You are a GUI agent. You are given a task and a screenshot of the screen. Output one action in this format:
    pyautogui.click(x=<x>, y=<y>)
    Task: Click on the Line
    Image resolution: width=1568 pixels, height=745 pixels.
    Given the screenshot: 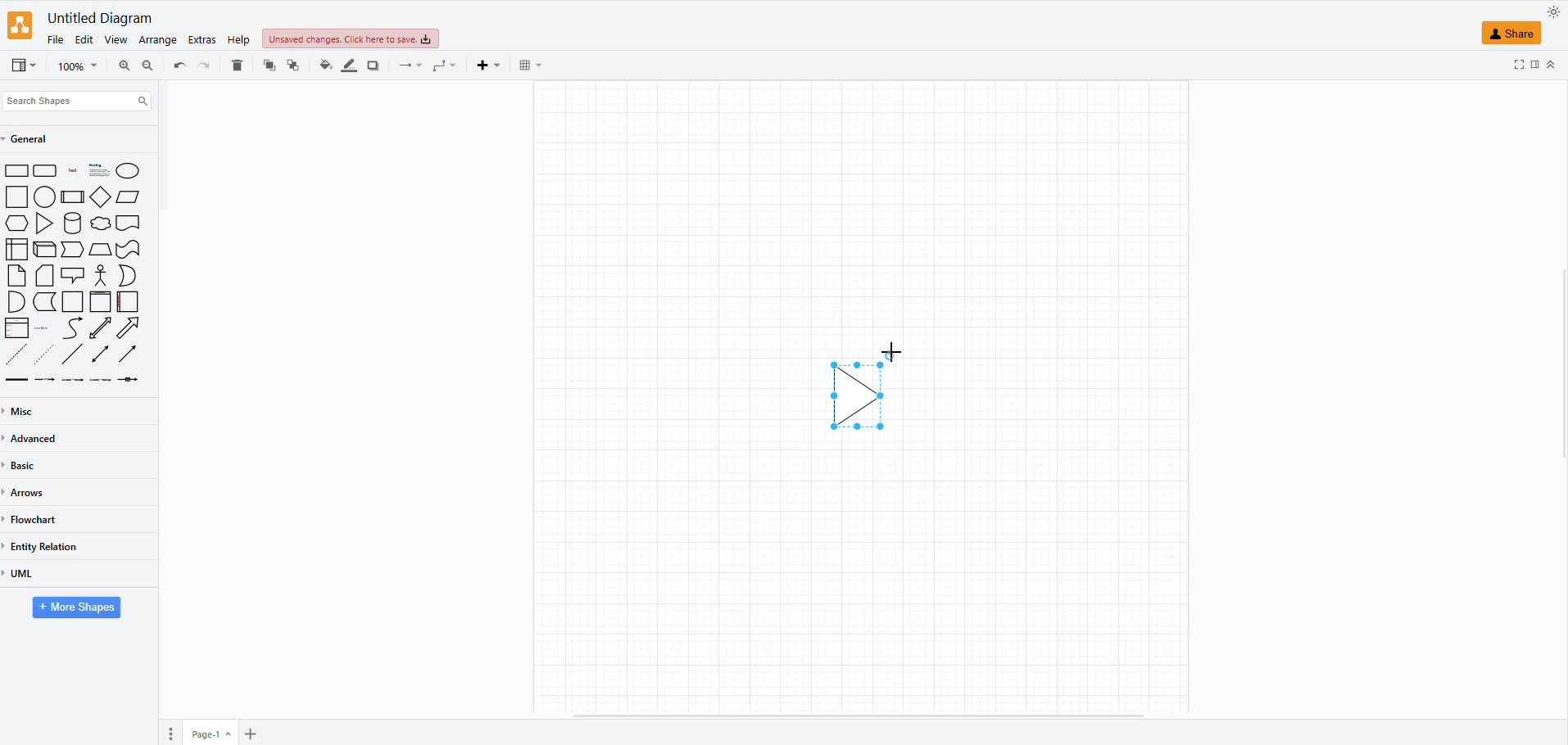 What is the action you would take?
    pyautogui.click(x=74, y=354)
    